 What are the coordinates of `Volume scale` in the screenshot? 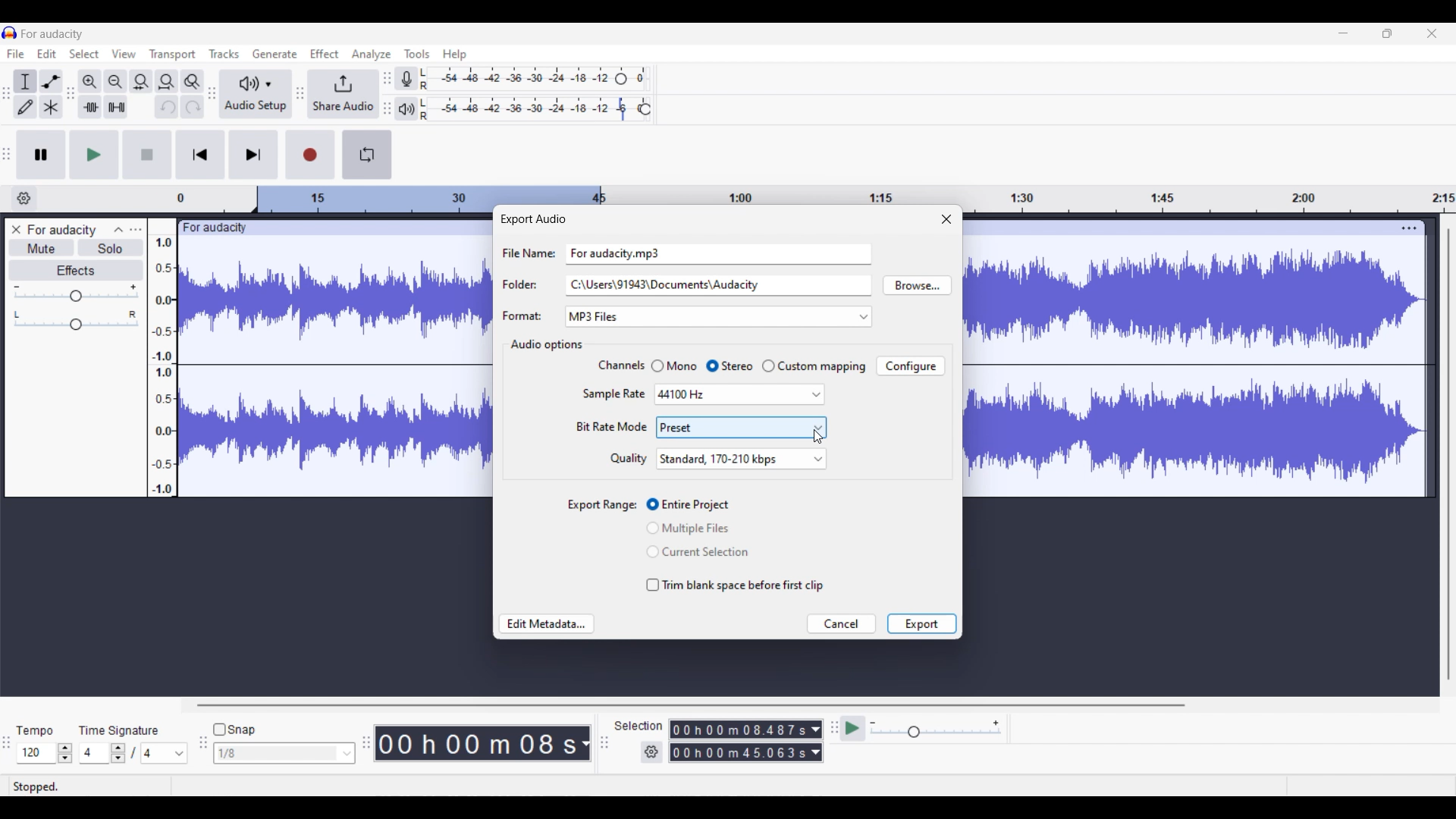 It's located at (76, 293).